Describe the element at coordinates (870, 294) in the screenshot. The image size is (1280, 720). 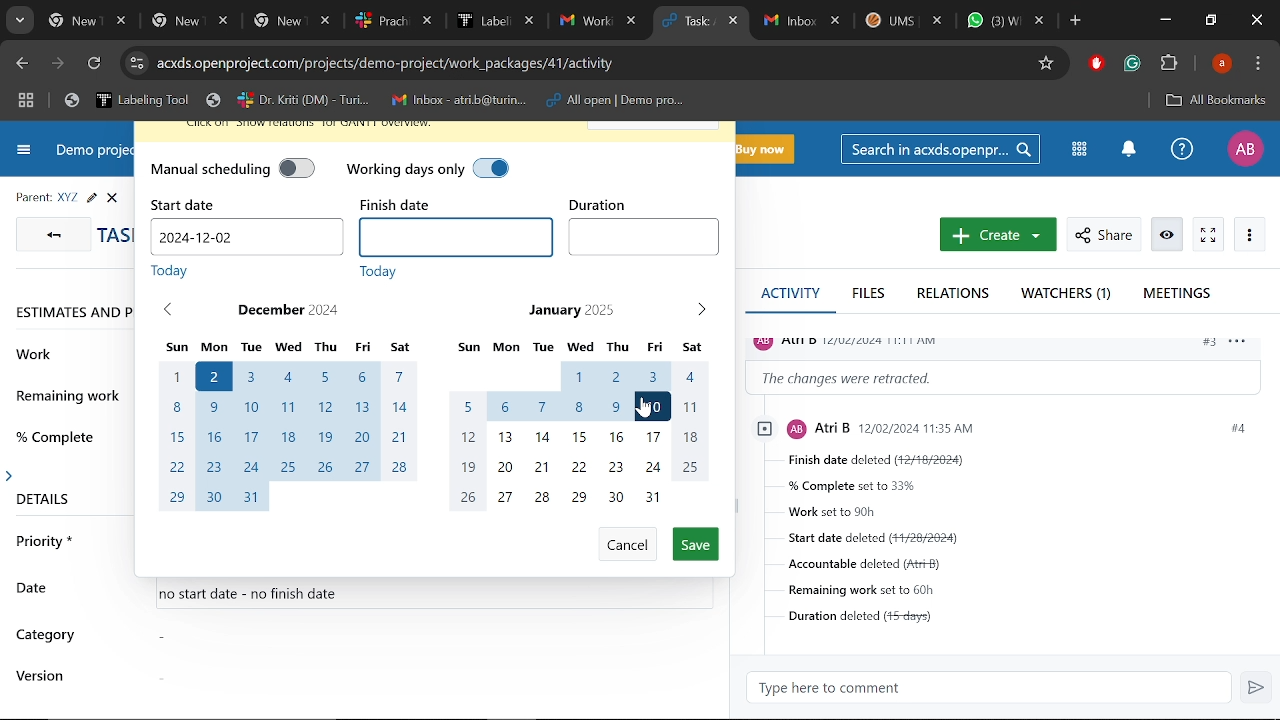
I see `Files` at that location.